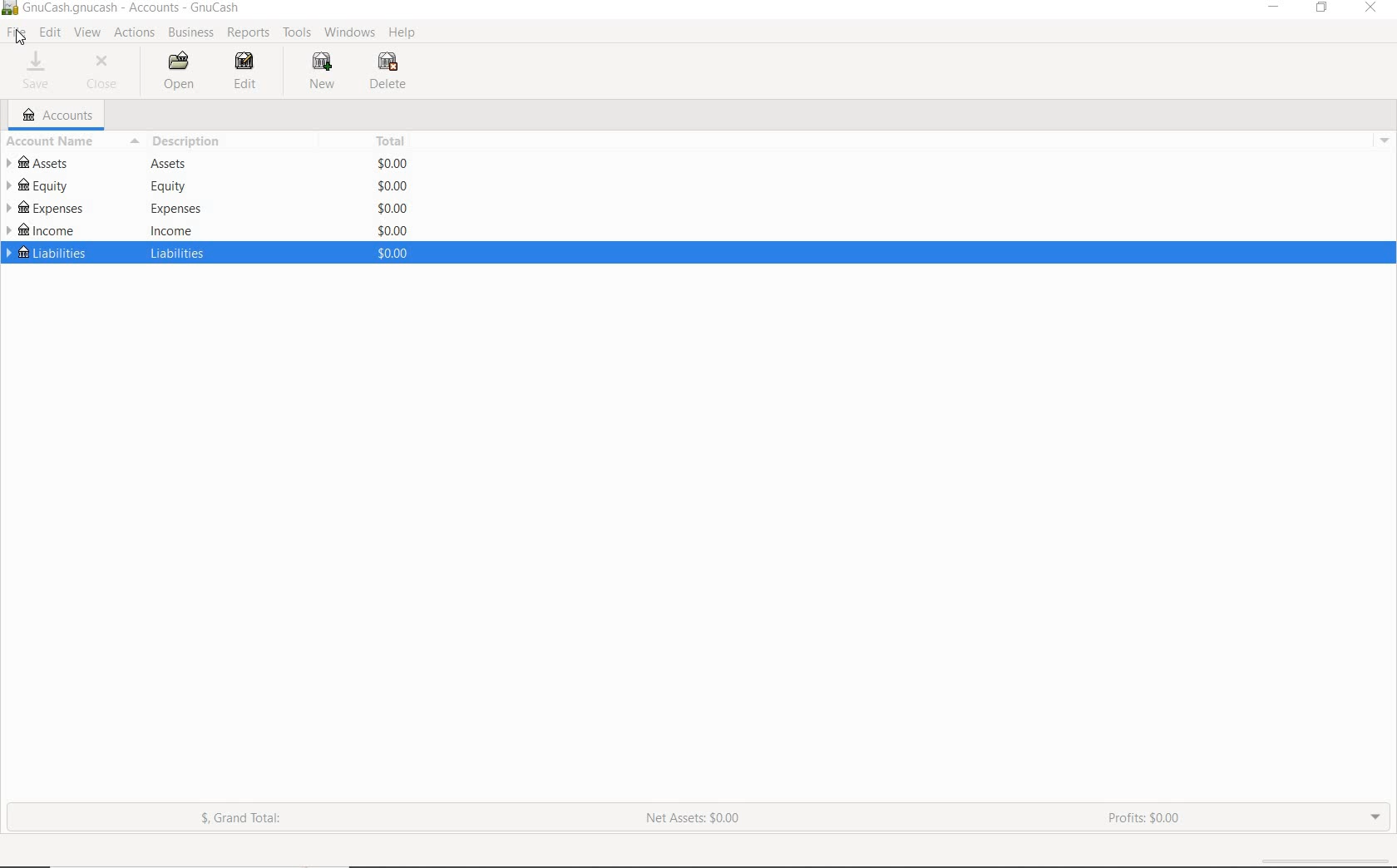  I want to click on EXPAND, so click(1373, 819).